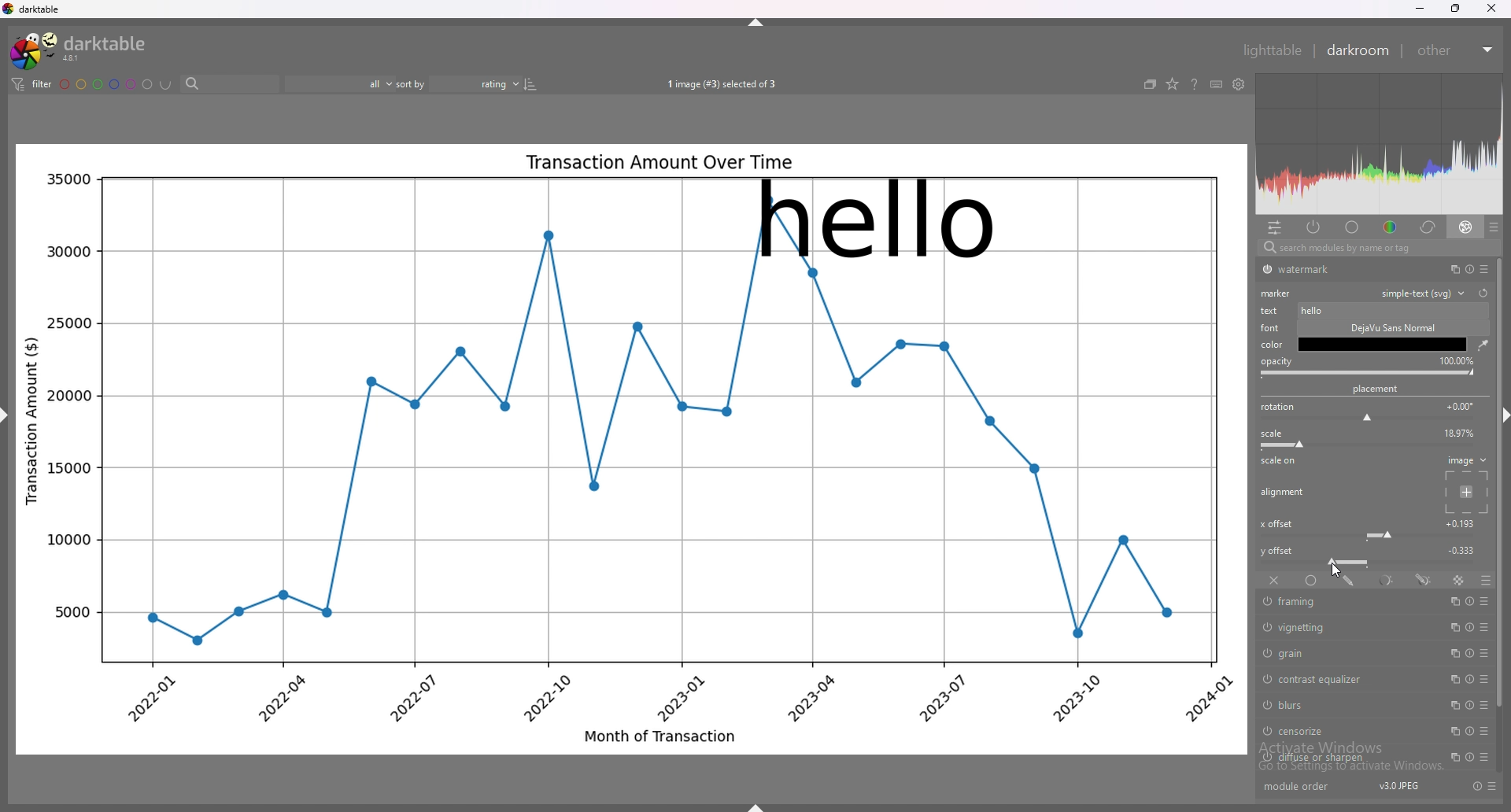 Image resolution: width=1511 pixels, height=812 pixels. I want to click on scroll bar, so click(1502, 482).